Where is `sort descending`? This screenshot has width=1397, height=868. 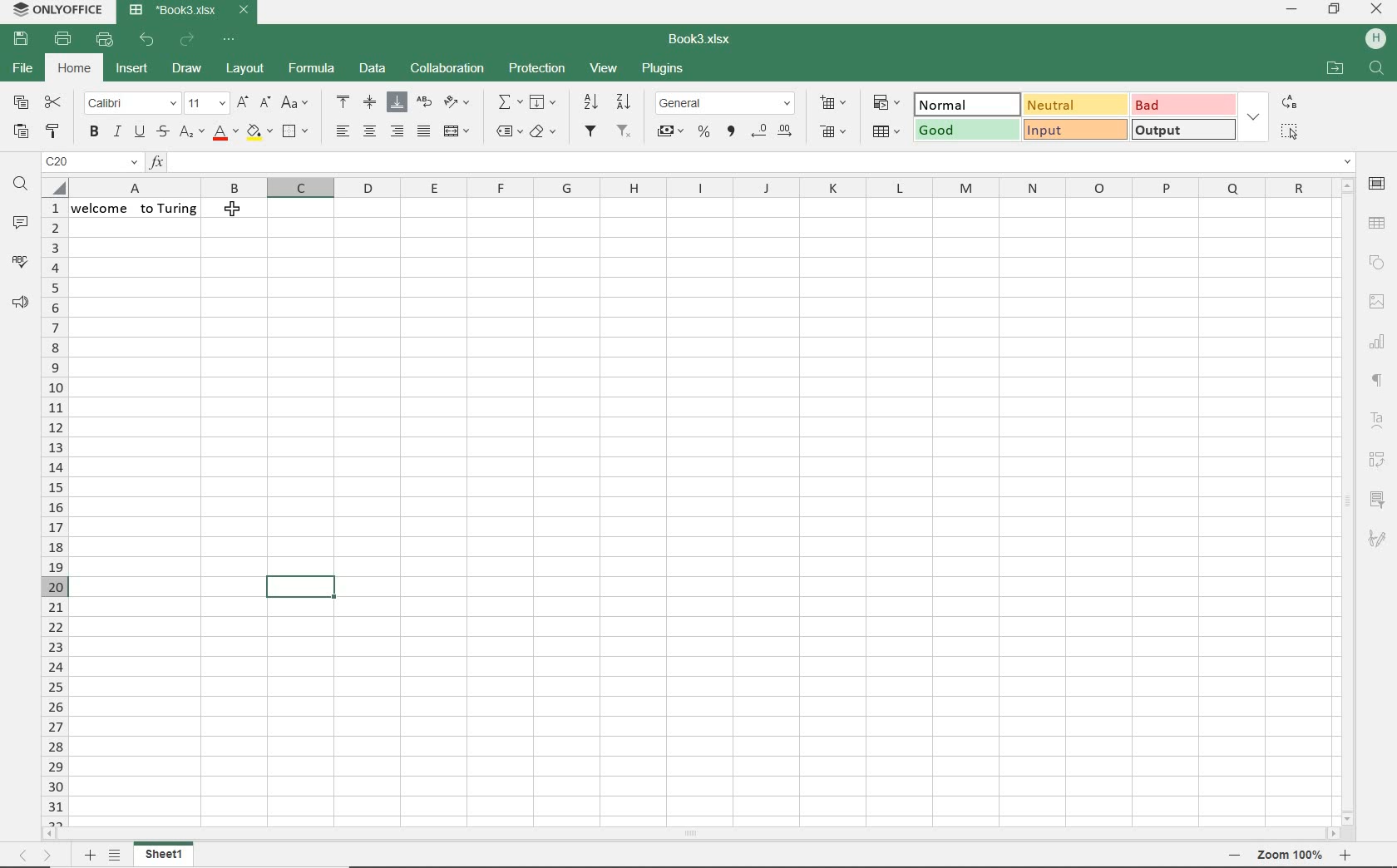
sort descending is located at coordinates (624, 101).